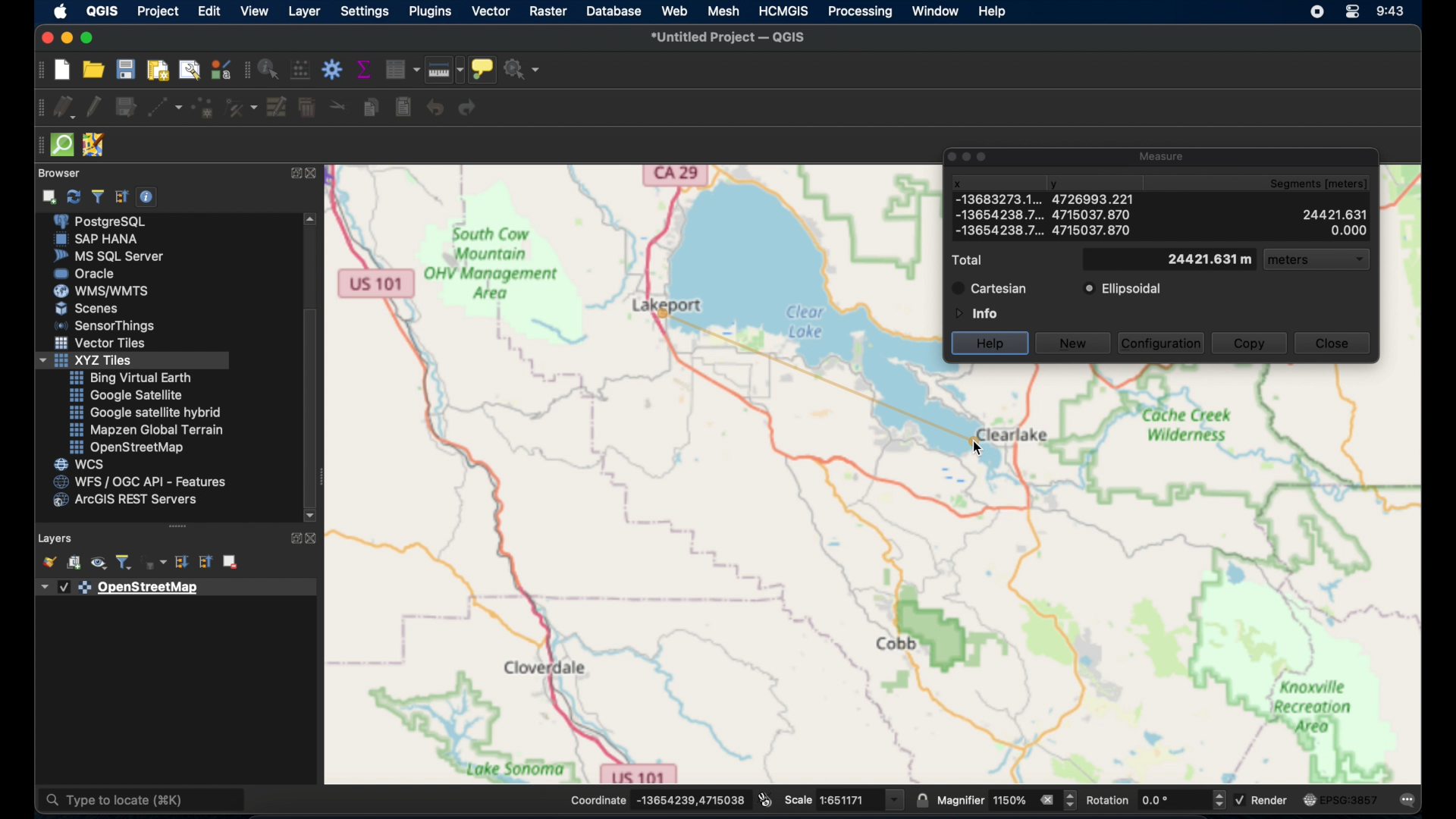 The width and height of the screenshot is (1456, 819). Describe the element at coordinates (65, 38) in the screenshot. I see `minimize ` at that location.